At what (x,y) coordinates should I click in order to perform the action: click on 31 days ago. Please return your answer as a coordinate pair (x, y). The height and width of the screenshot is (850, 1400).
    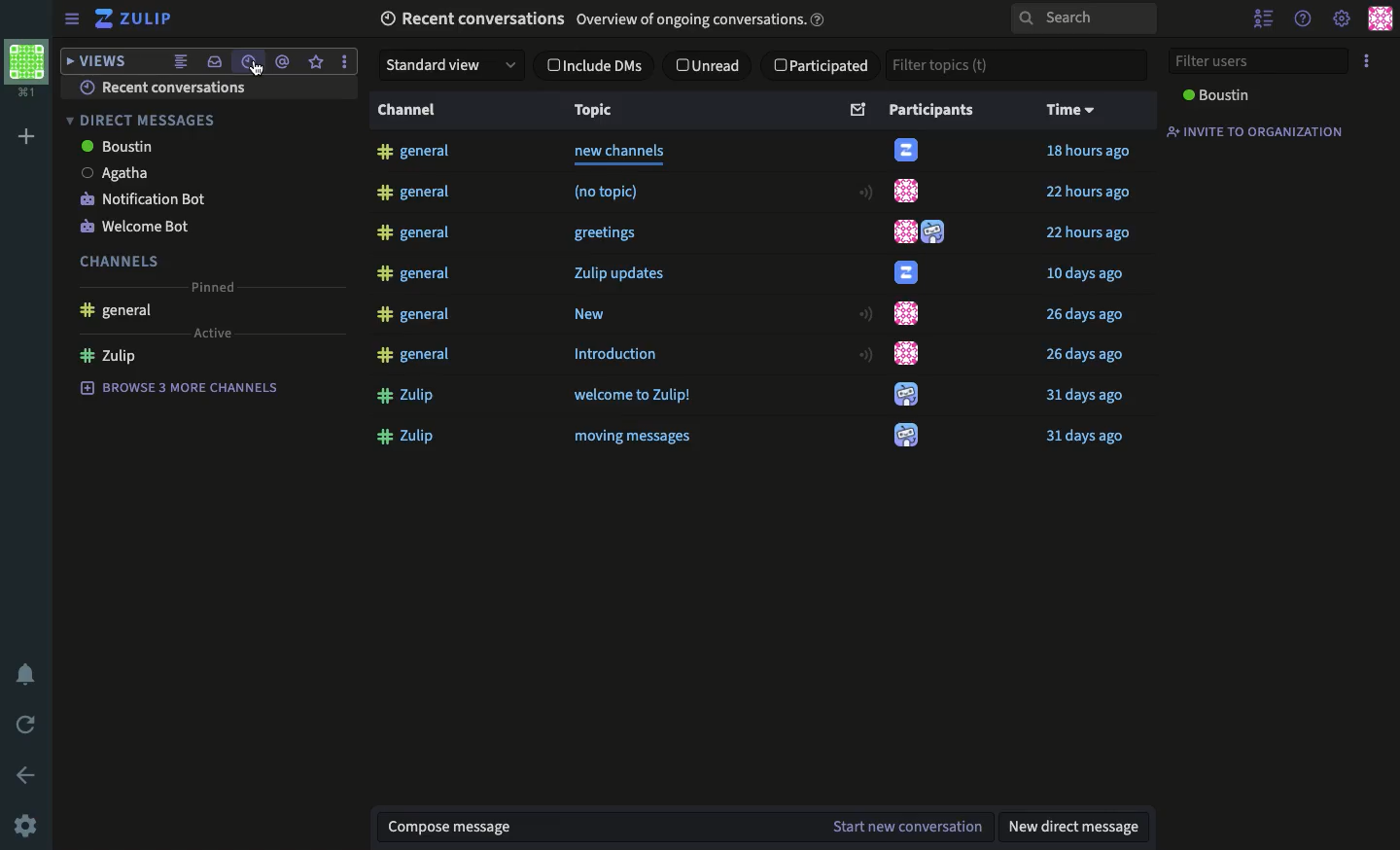
    Looking at the image, I should click on (1086, 437).